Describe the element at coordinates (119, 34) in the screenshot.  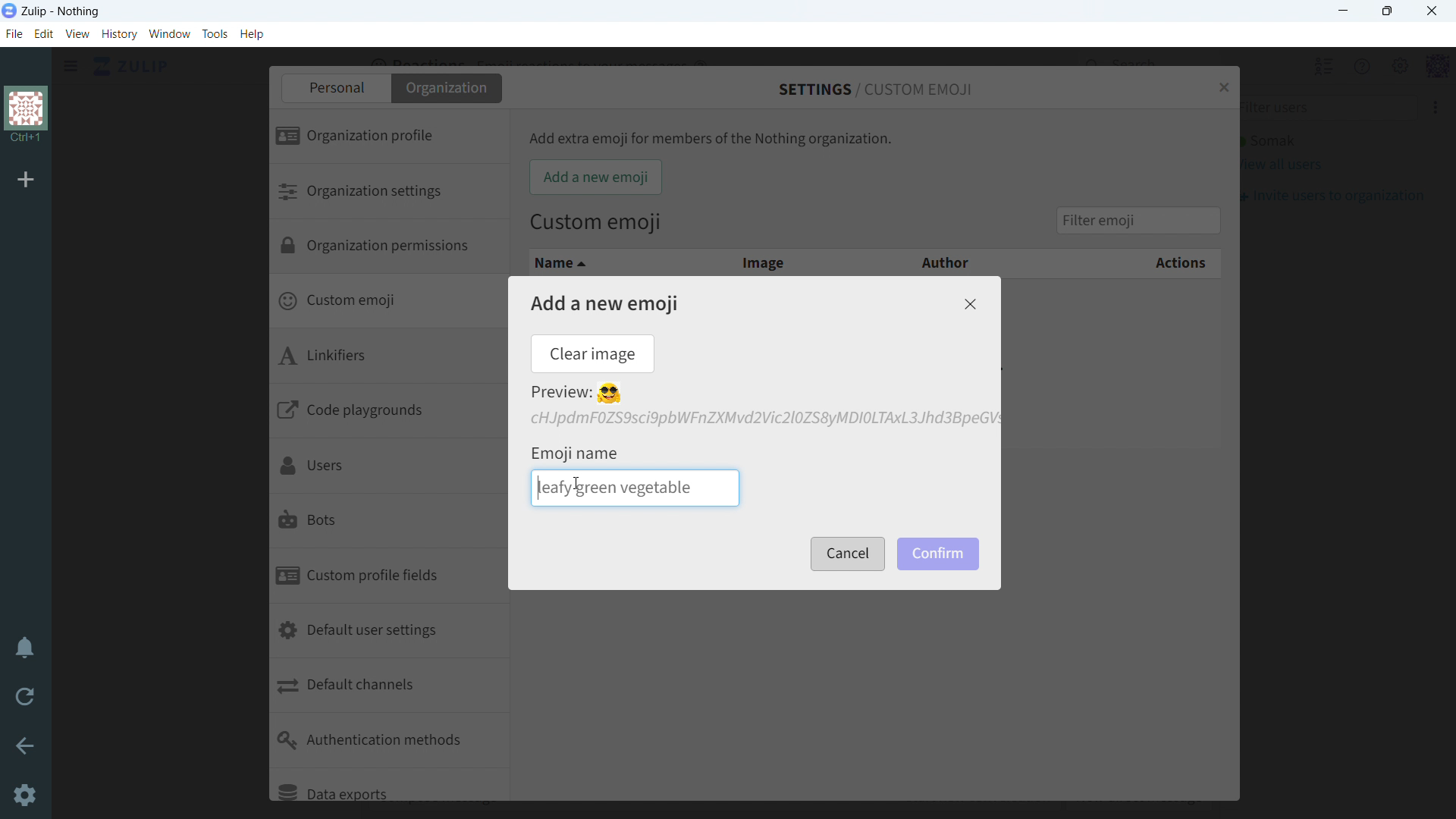
I see `history` at that location.